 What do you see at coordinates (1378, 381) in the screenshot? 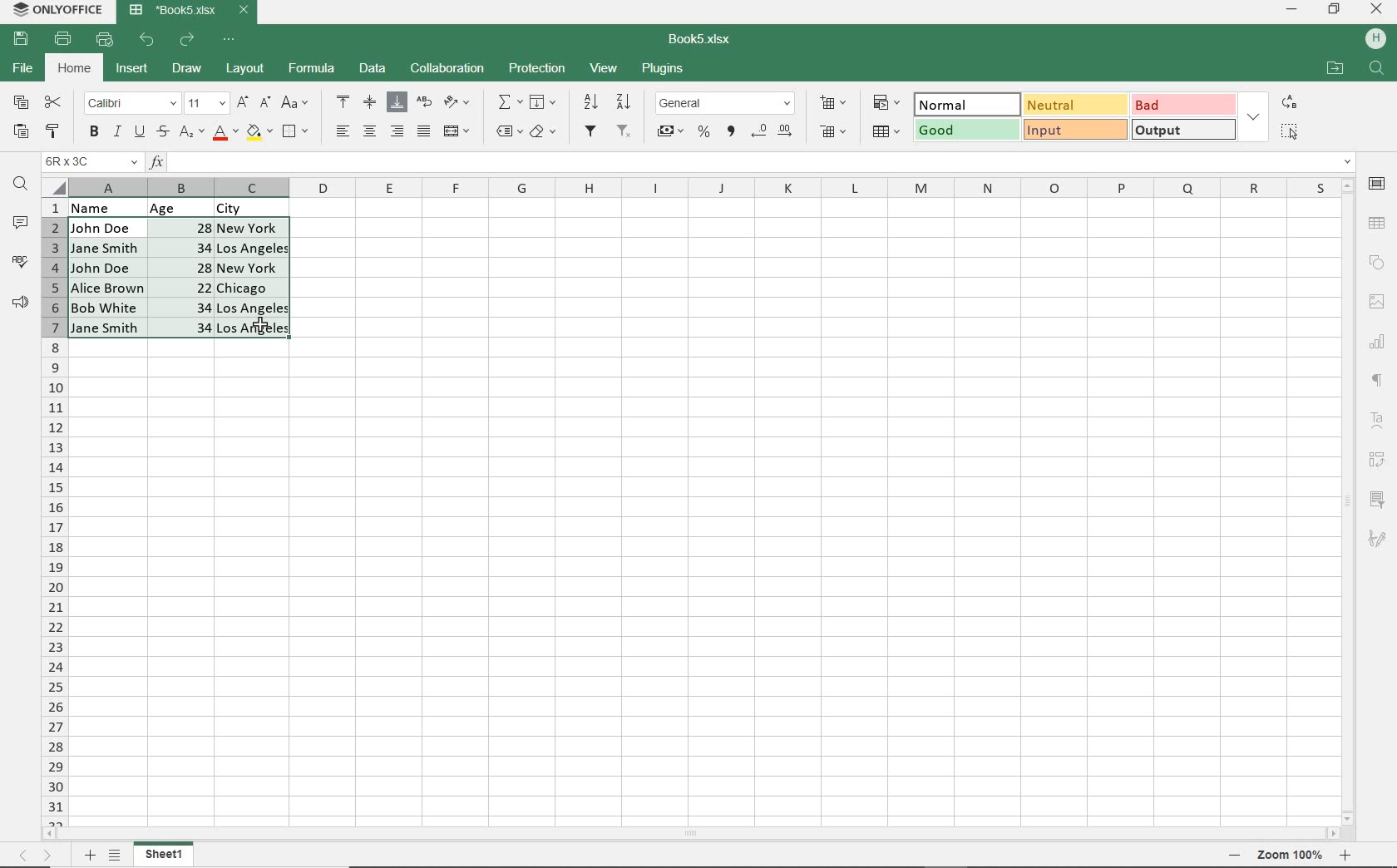
I see `PARAGRAPH SETTINGS` at bounding box center [1378, 381].